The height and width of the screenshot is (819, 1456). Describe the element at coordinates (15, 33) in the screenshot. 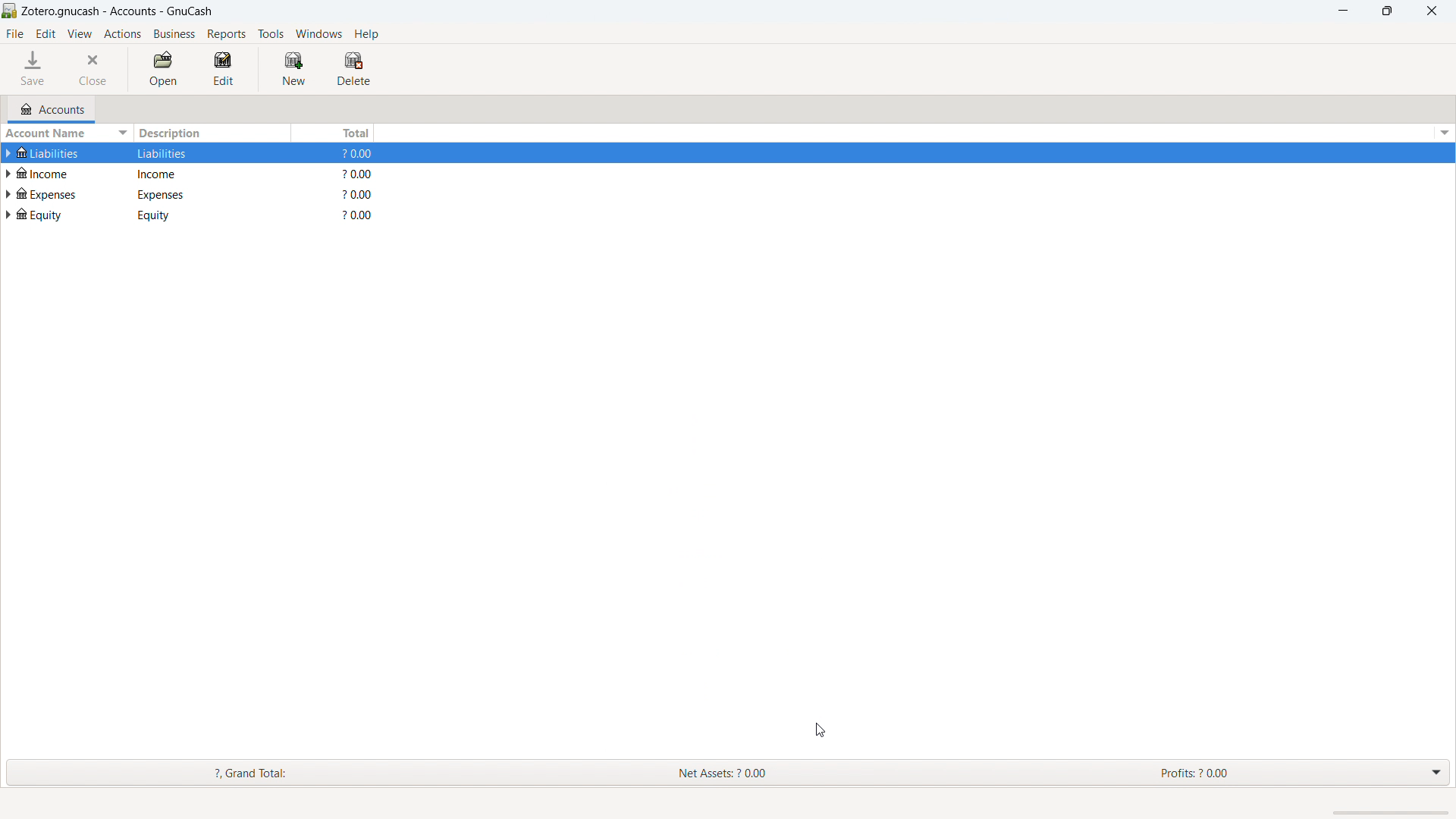

I see `file` at that location.